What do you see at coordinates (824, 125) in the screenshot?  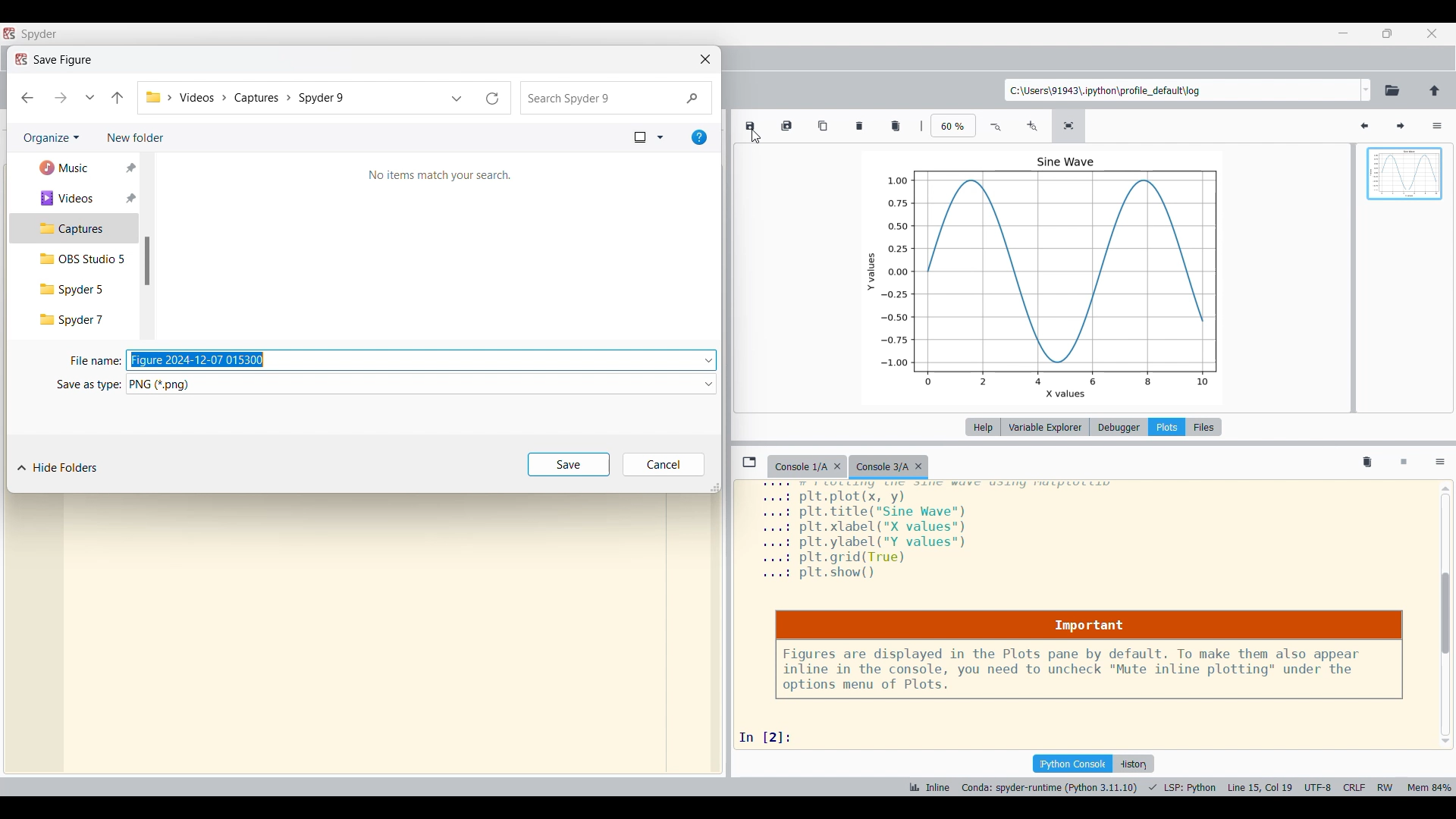 I see `Copy plot to clipboard as image` at bounding box center [824, 125].